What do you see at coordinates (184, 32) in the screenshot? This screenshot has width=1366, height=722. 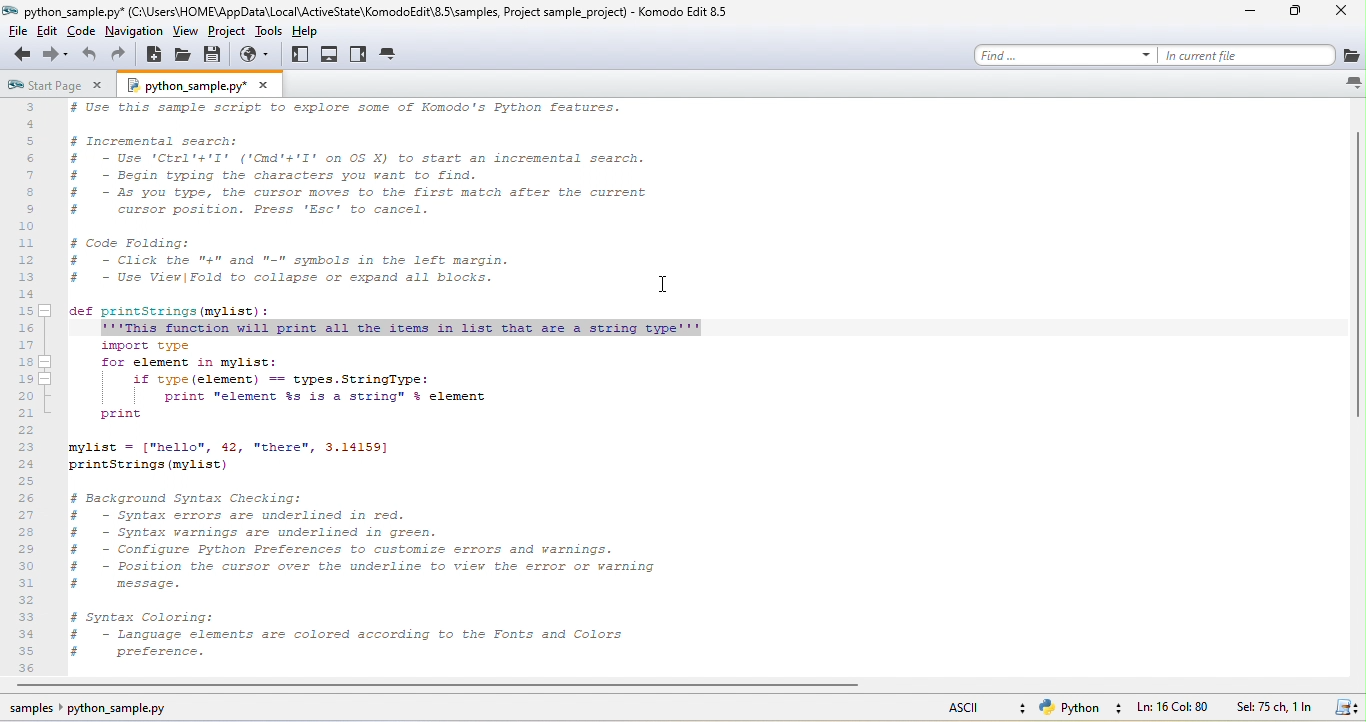 I see `view` at bounding box center [184, 32].